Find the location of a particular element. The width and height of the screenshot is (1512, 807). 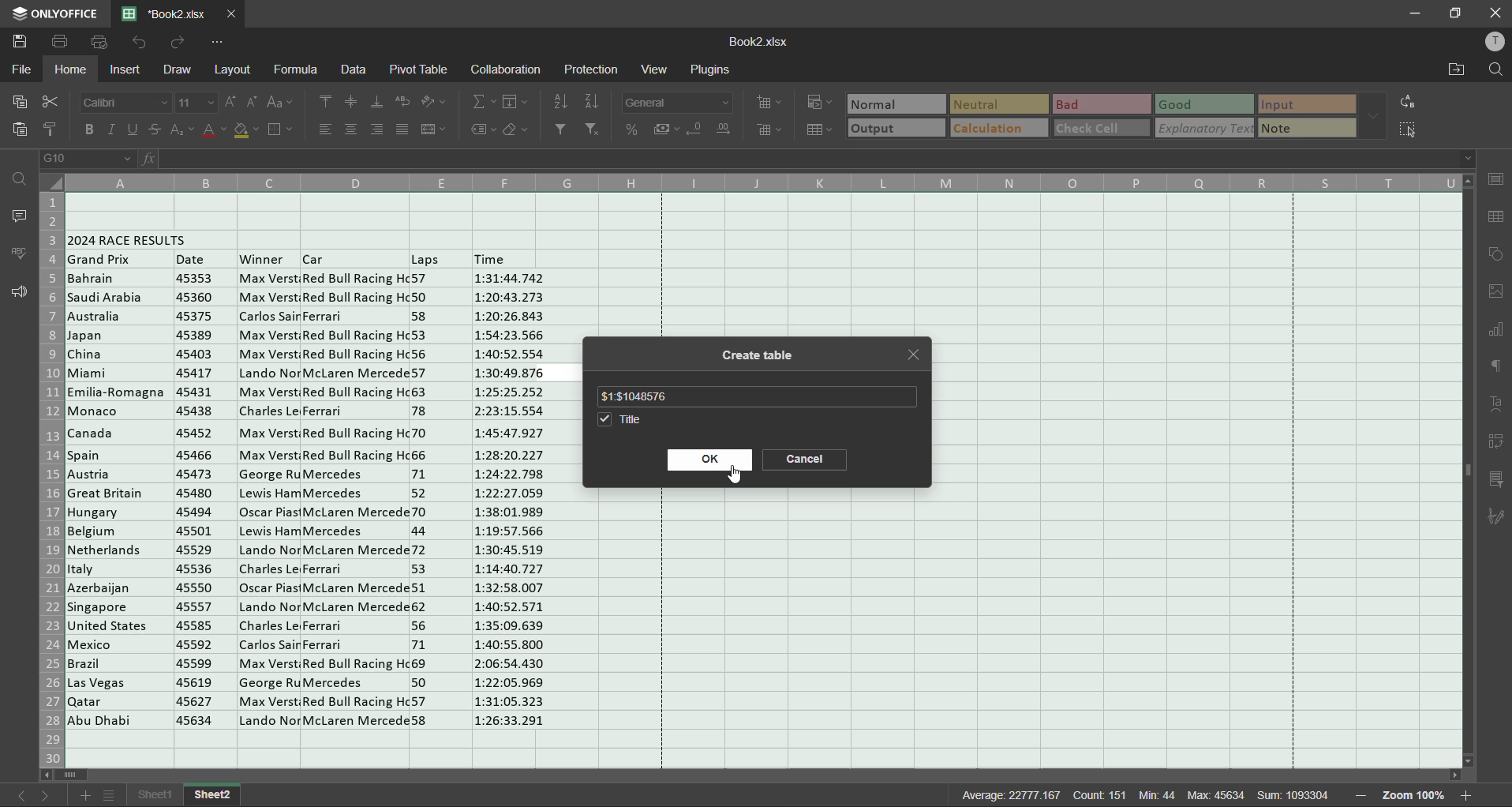

column names is located at coordinates (770, 182).